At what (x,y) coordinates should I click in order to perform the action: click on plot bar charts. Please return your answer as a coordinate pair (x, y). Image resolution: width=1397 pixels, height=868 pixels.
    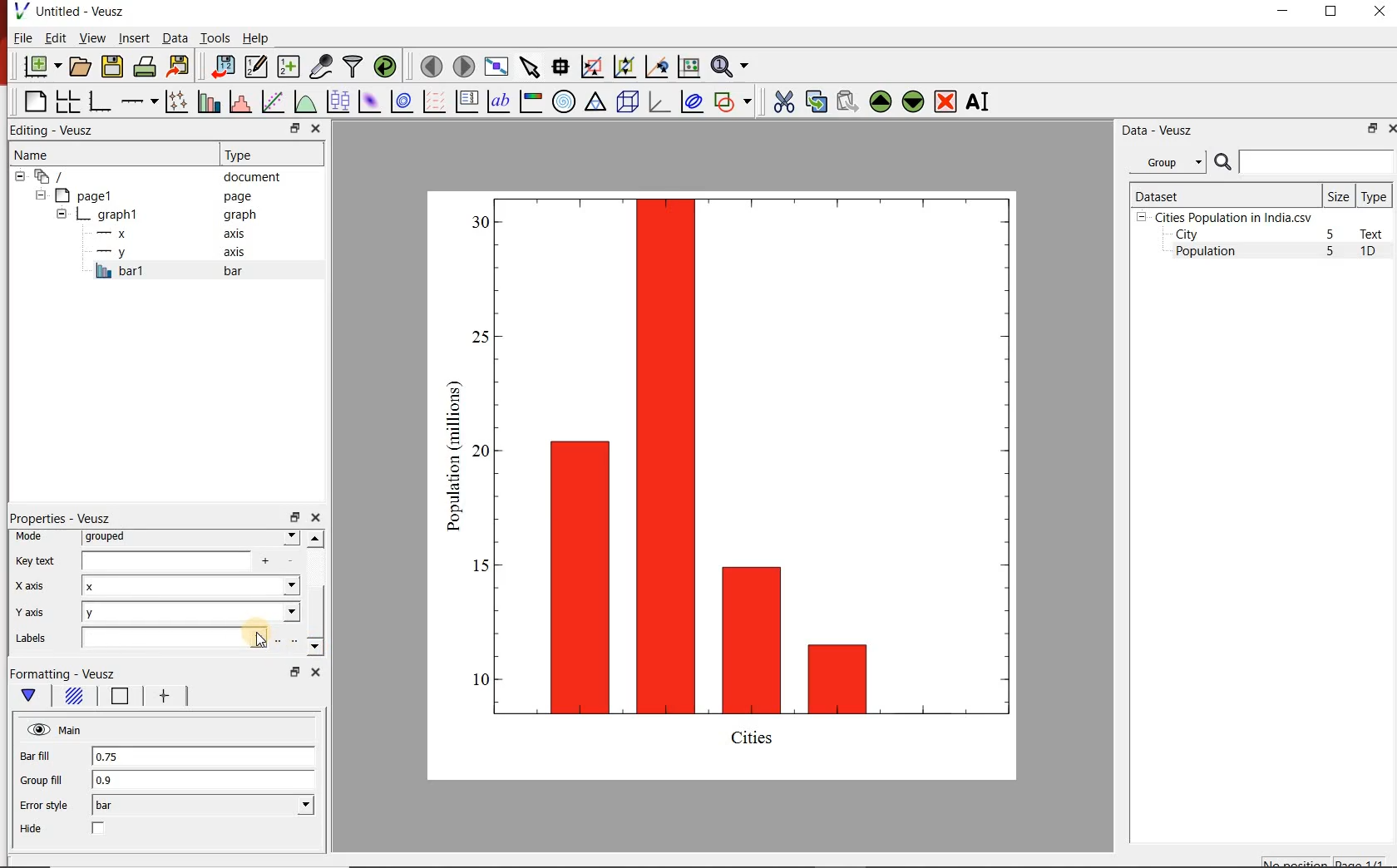
    Looking at the image, I should click on (206, 101).